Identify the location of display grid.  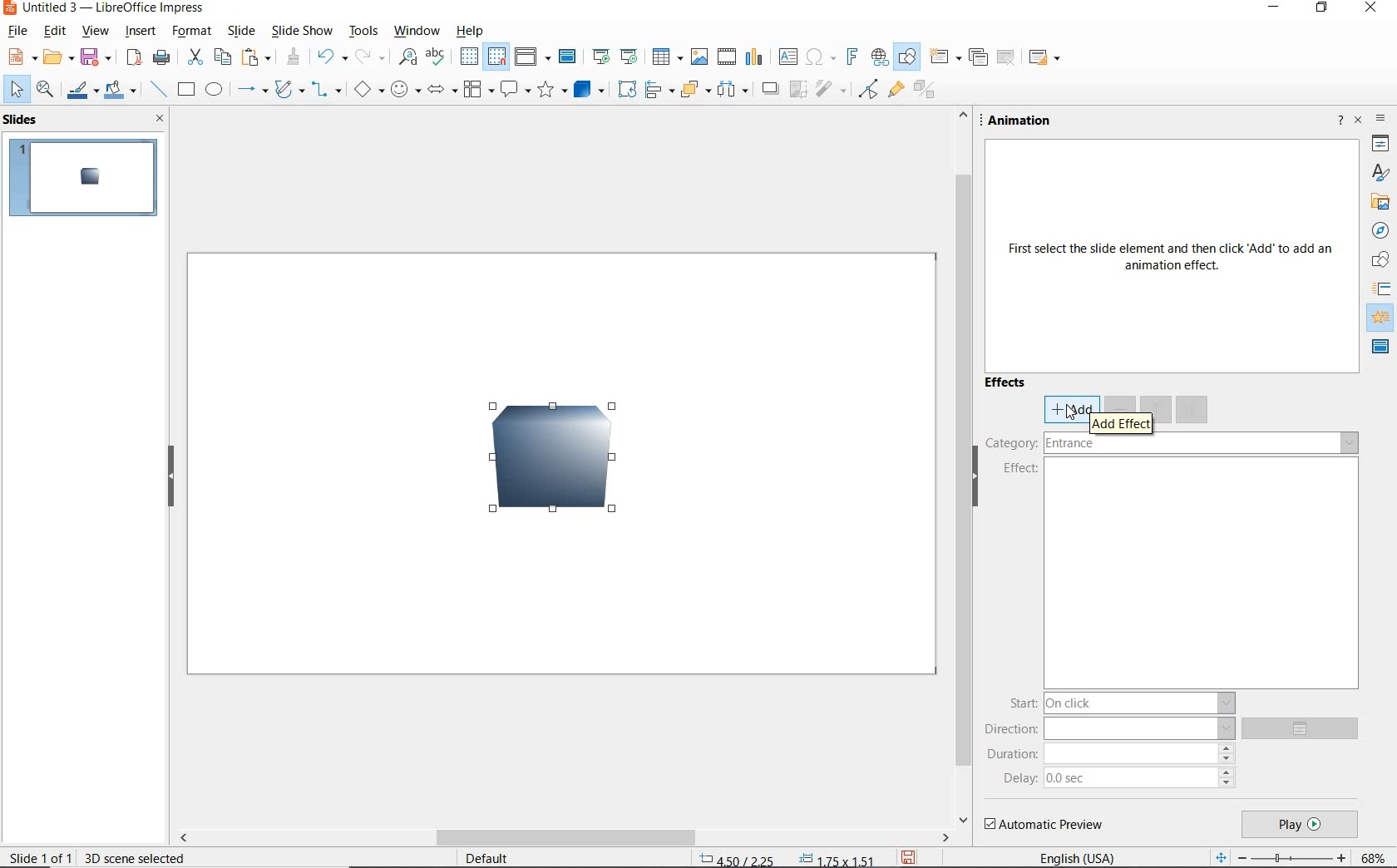
(468, 56).